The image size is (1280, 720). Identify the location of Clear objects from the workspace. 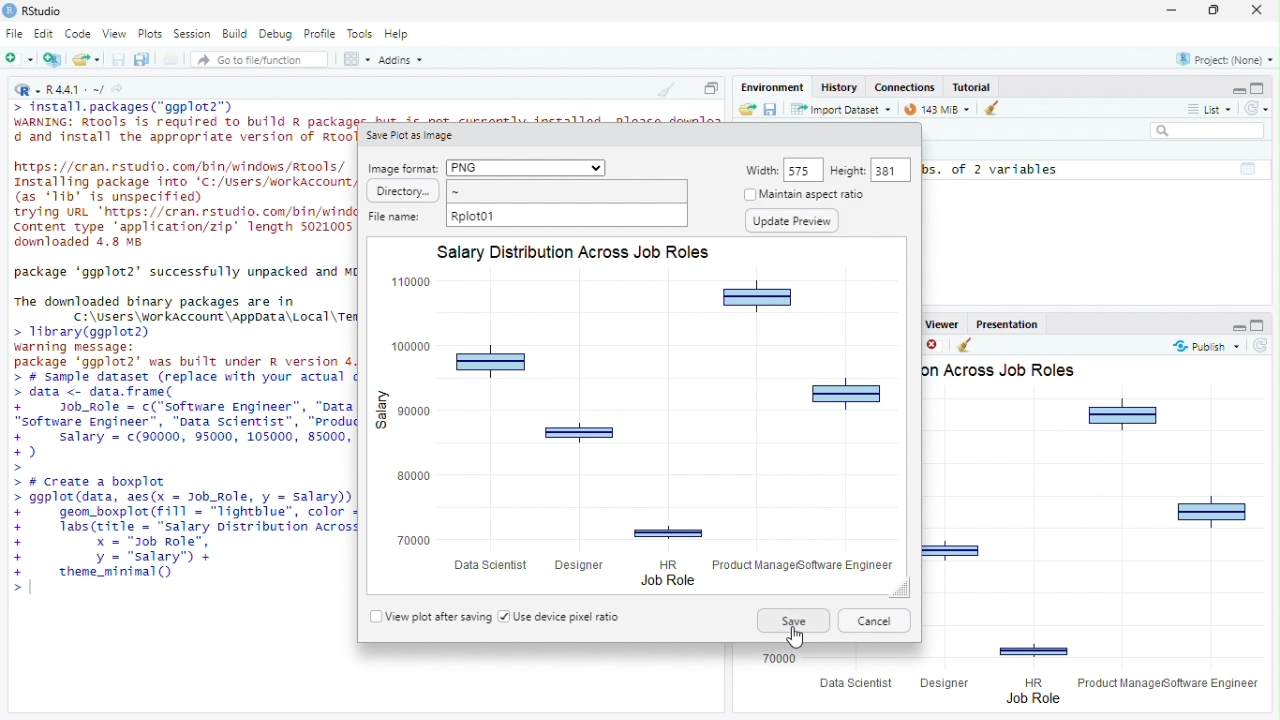
(994, 109).